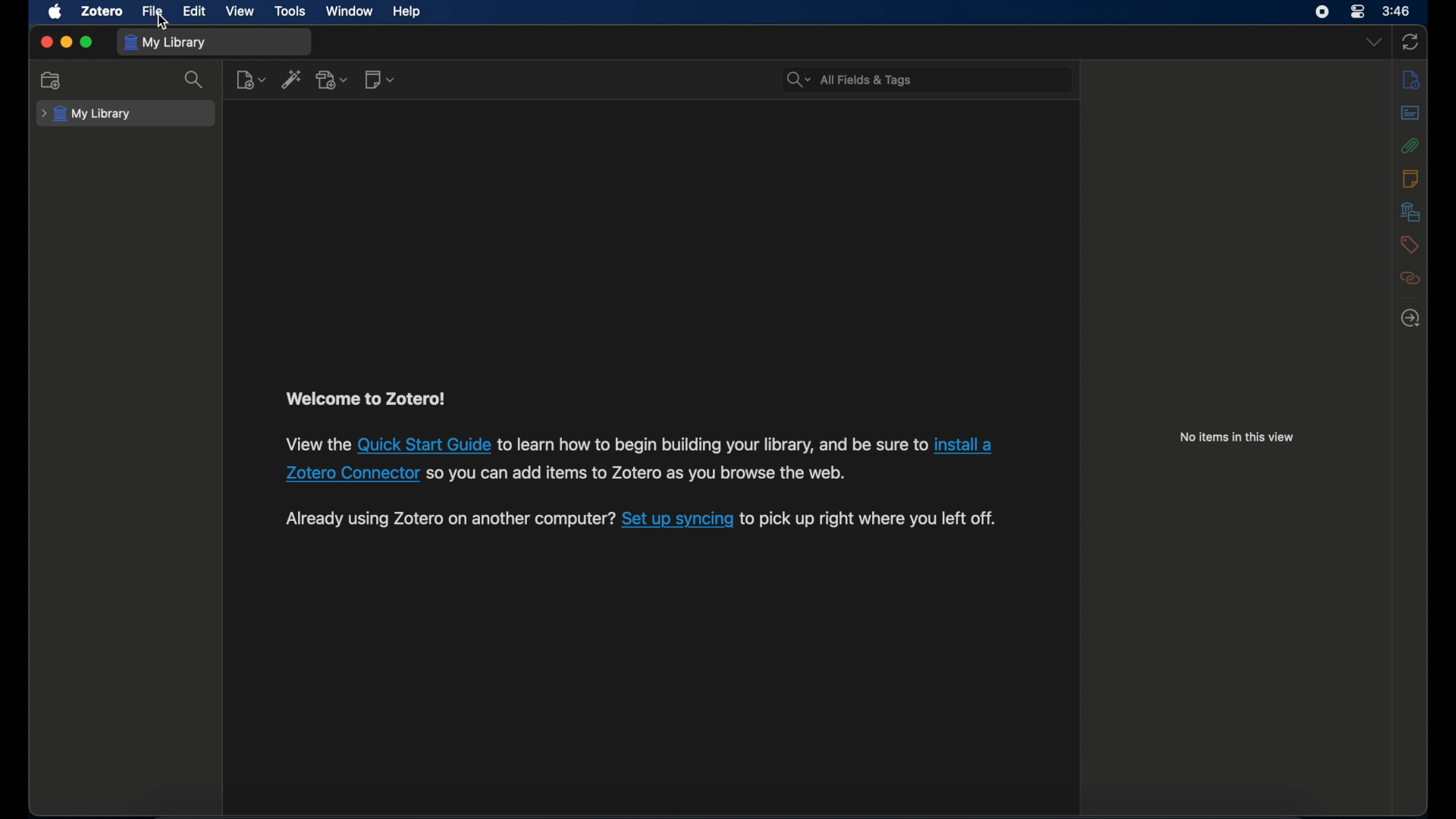 This screenshot has width=1456, height=819. I want to click on new collection, so click(52, 80).